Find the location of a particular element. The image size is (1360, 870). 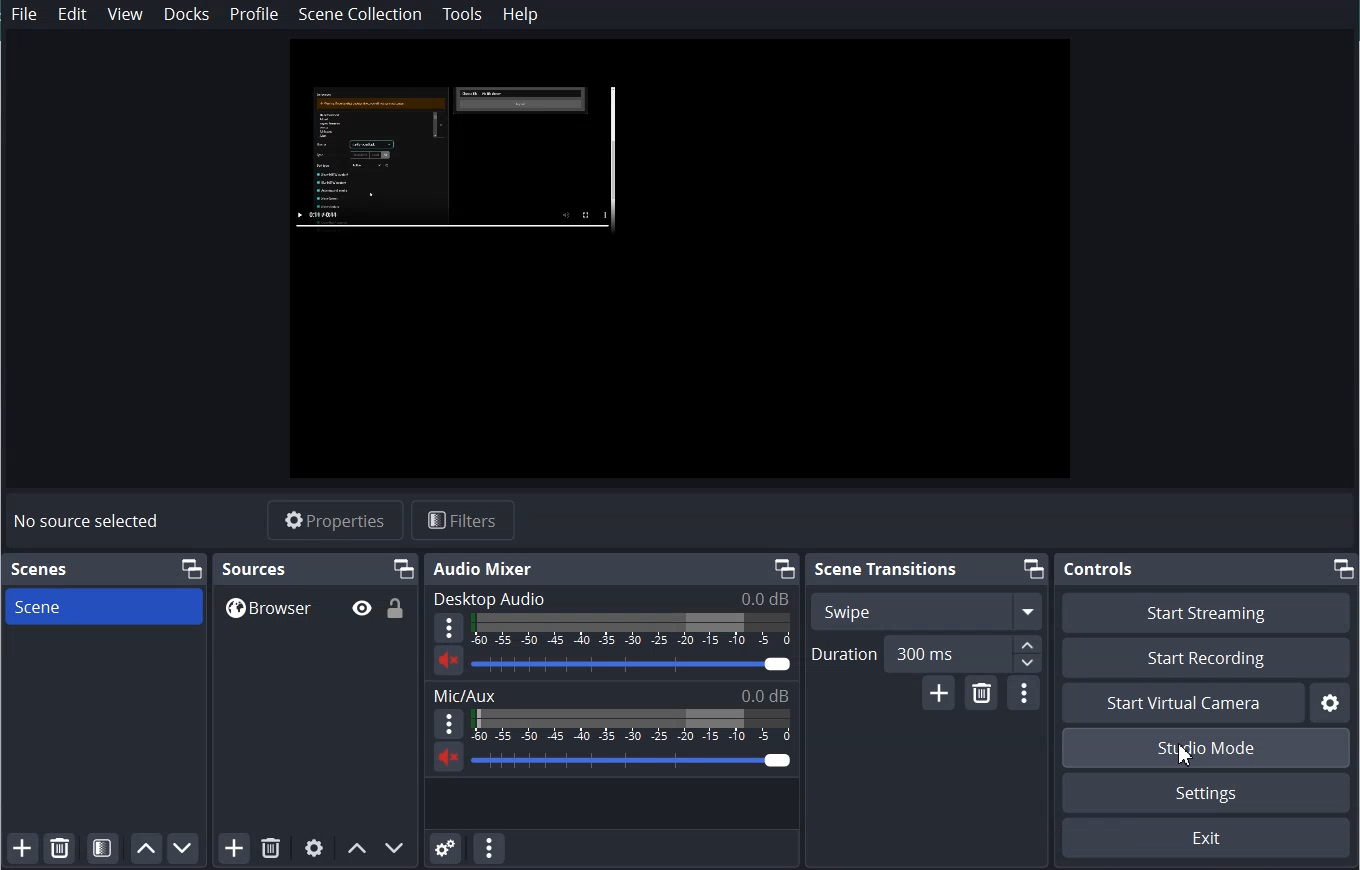

Tools is located at coordinates (462, 14).